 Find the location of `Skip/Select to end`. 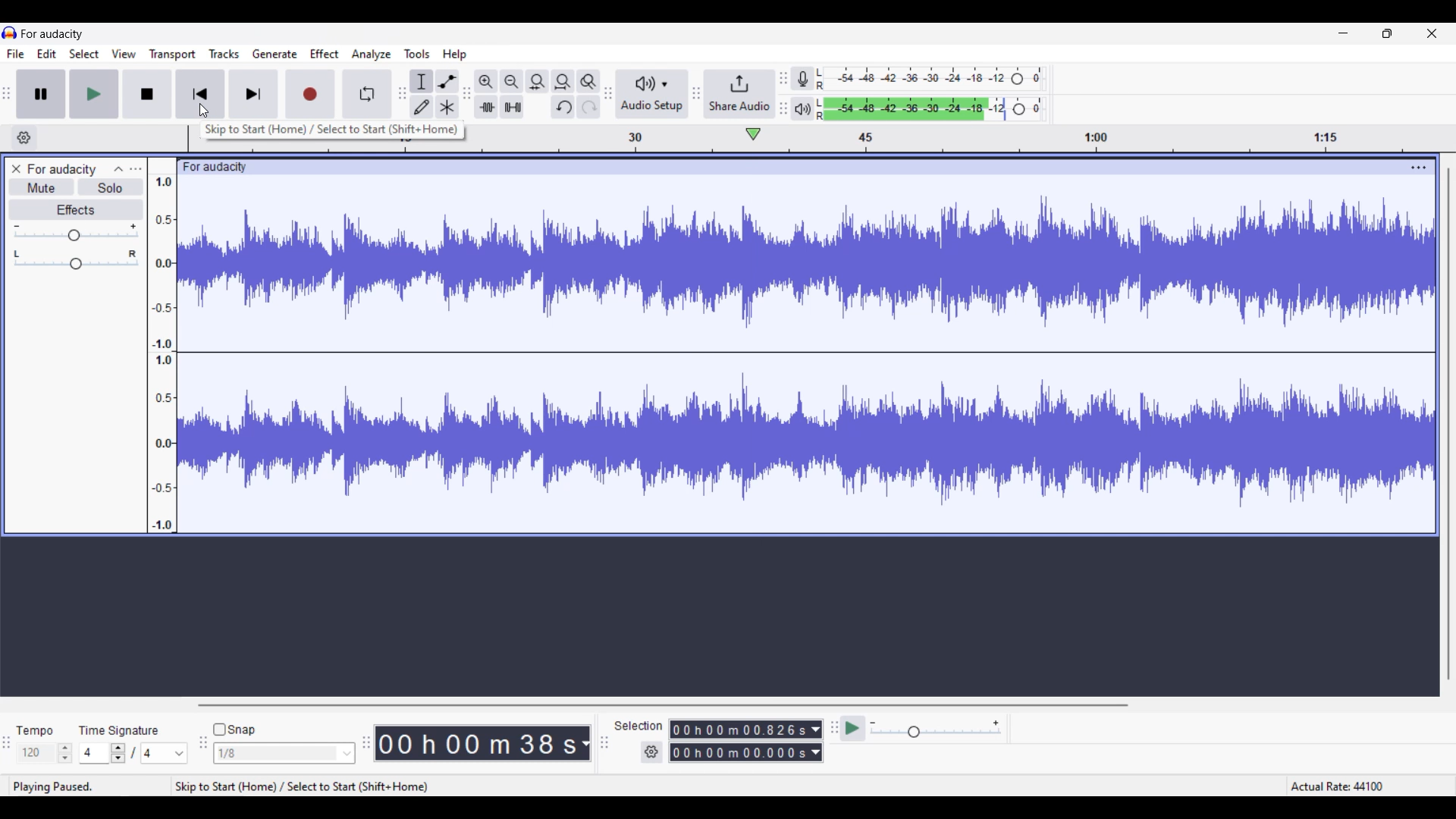

Skip/Select to end is located at coordinates (253, 94).